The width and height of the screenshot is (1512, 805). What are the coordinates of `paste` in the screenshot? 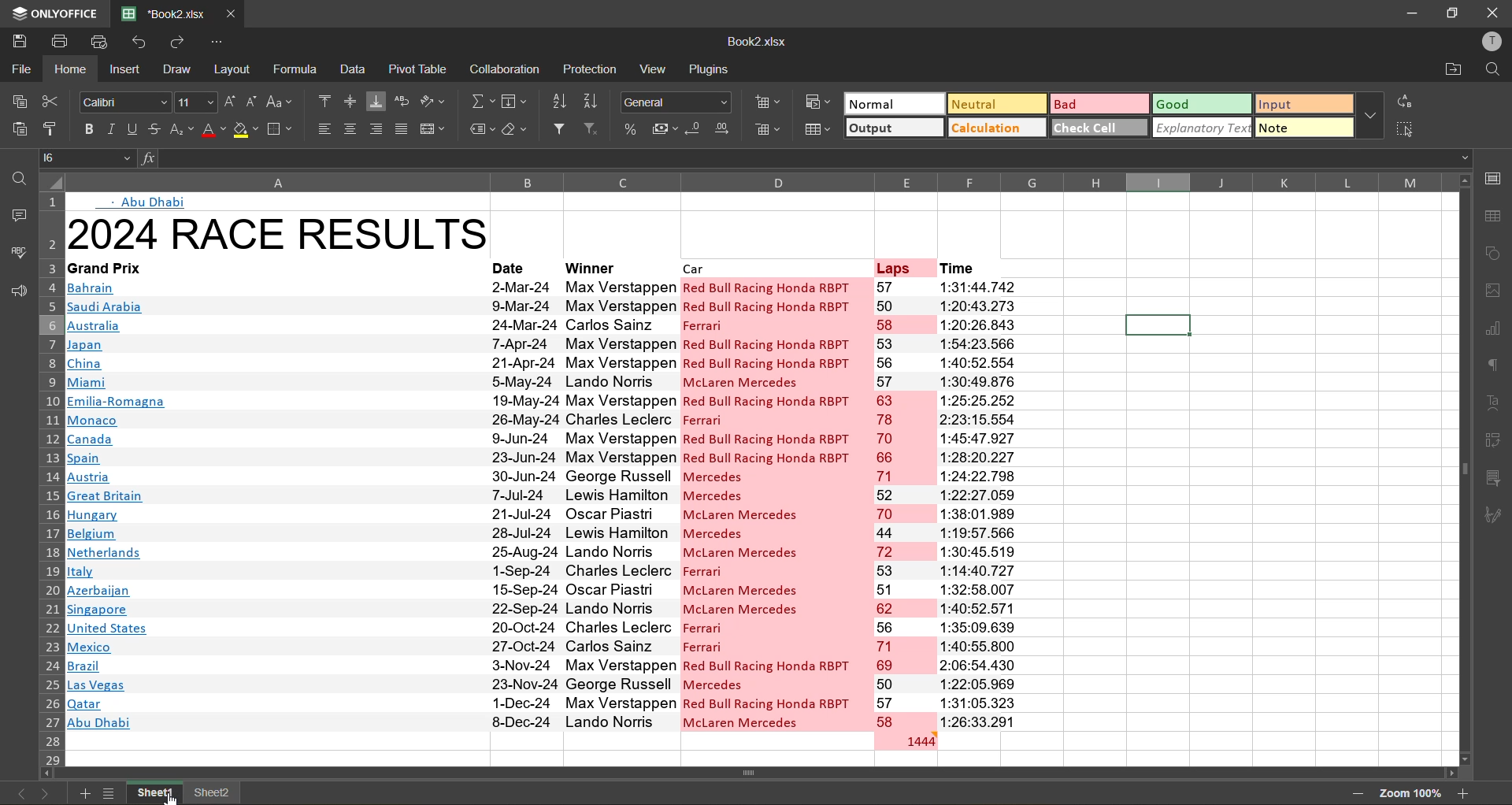 It's located at (20, 132).